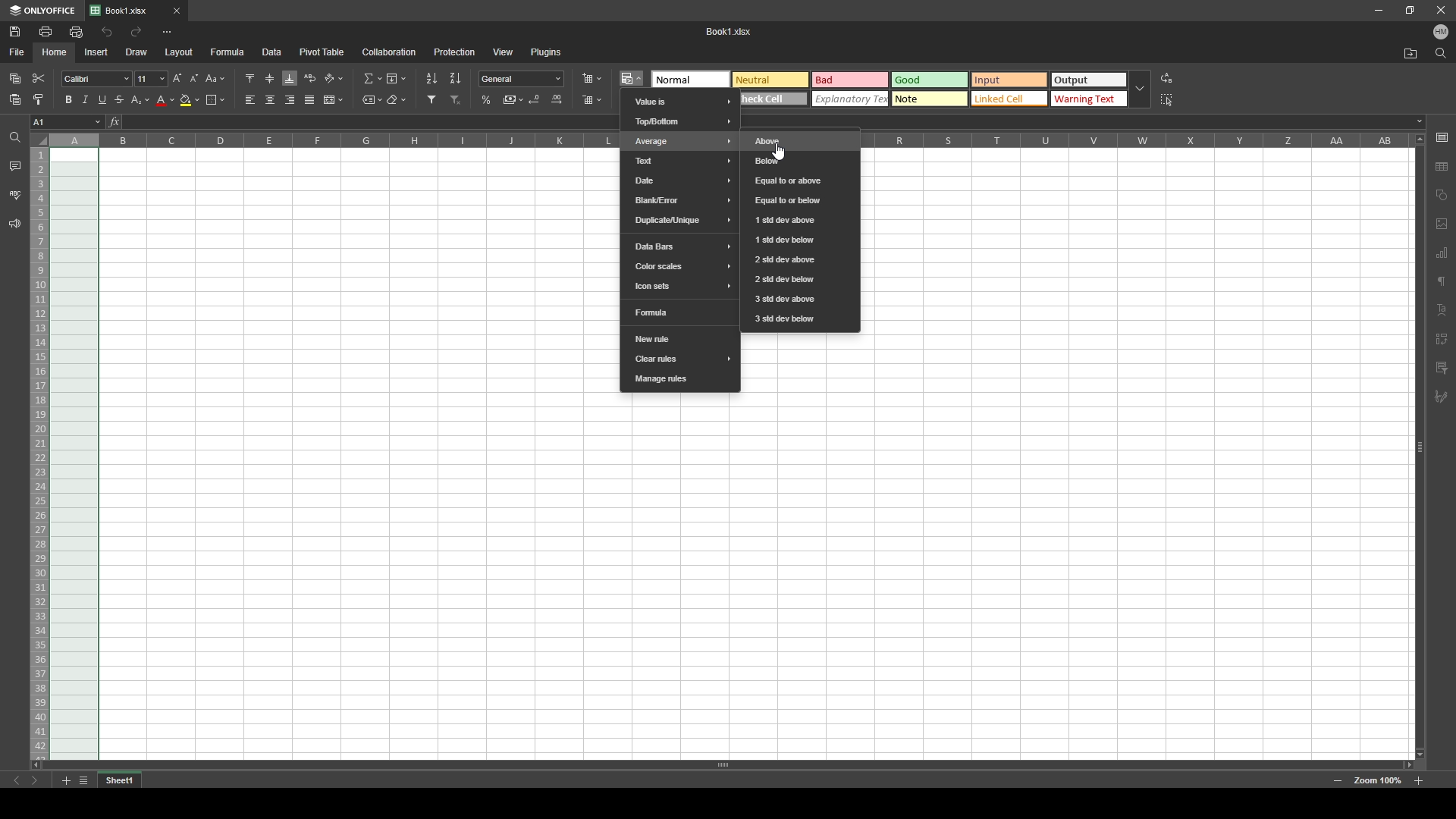  I want to click on protection, so click(454, 52).